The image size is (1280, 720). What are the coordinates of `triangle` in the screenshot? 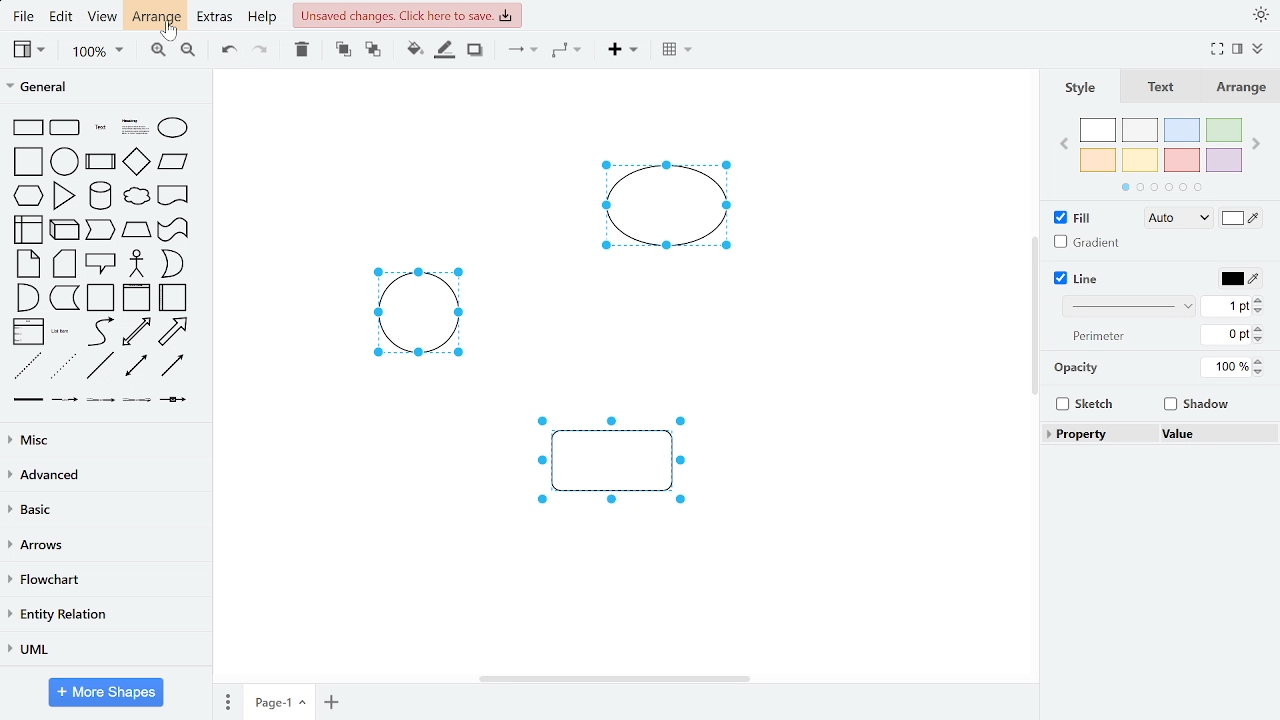 It's located at (64, 196).